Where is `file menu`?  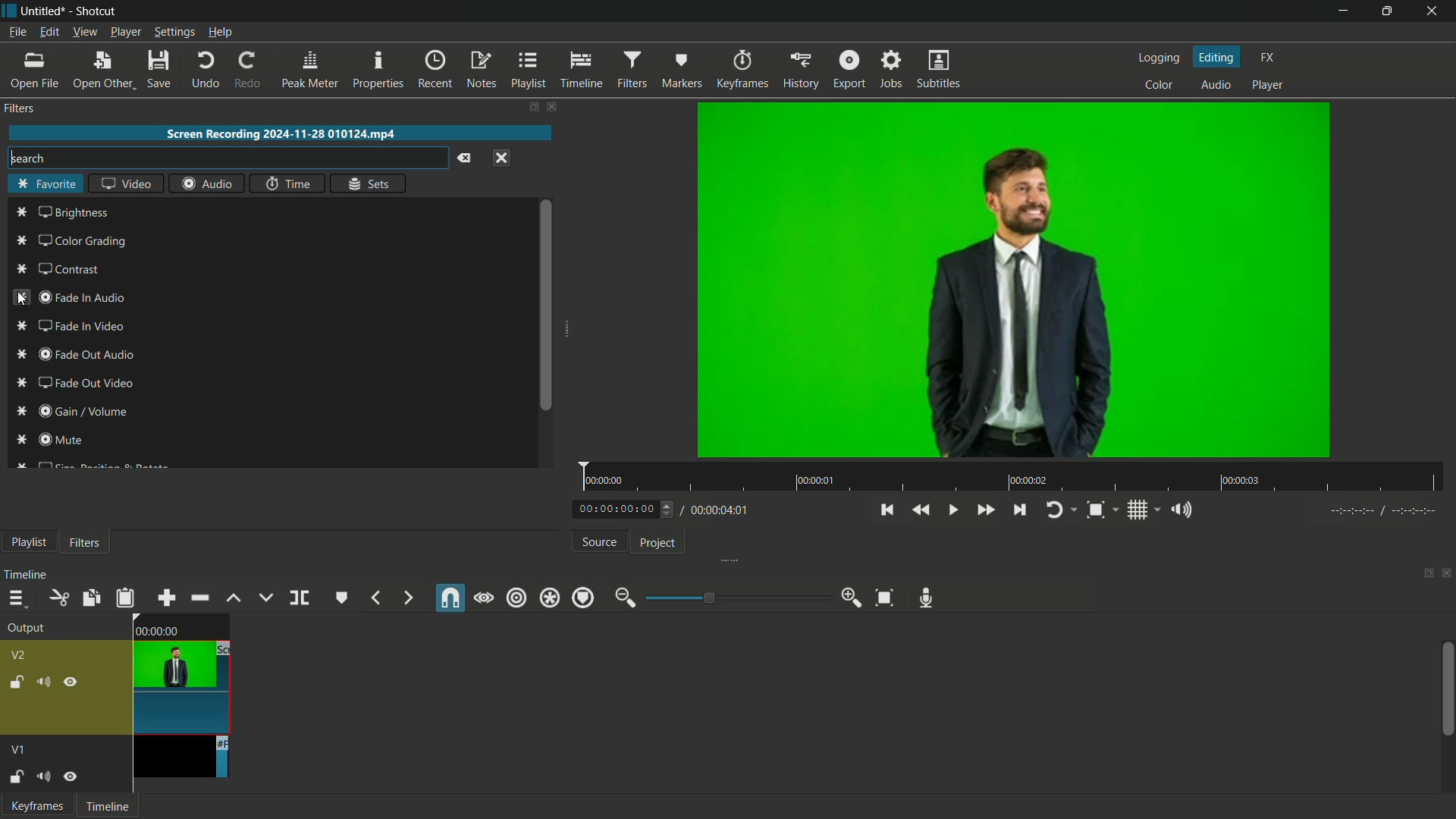 file menu is located at coordinates (16, 33).